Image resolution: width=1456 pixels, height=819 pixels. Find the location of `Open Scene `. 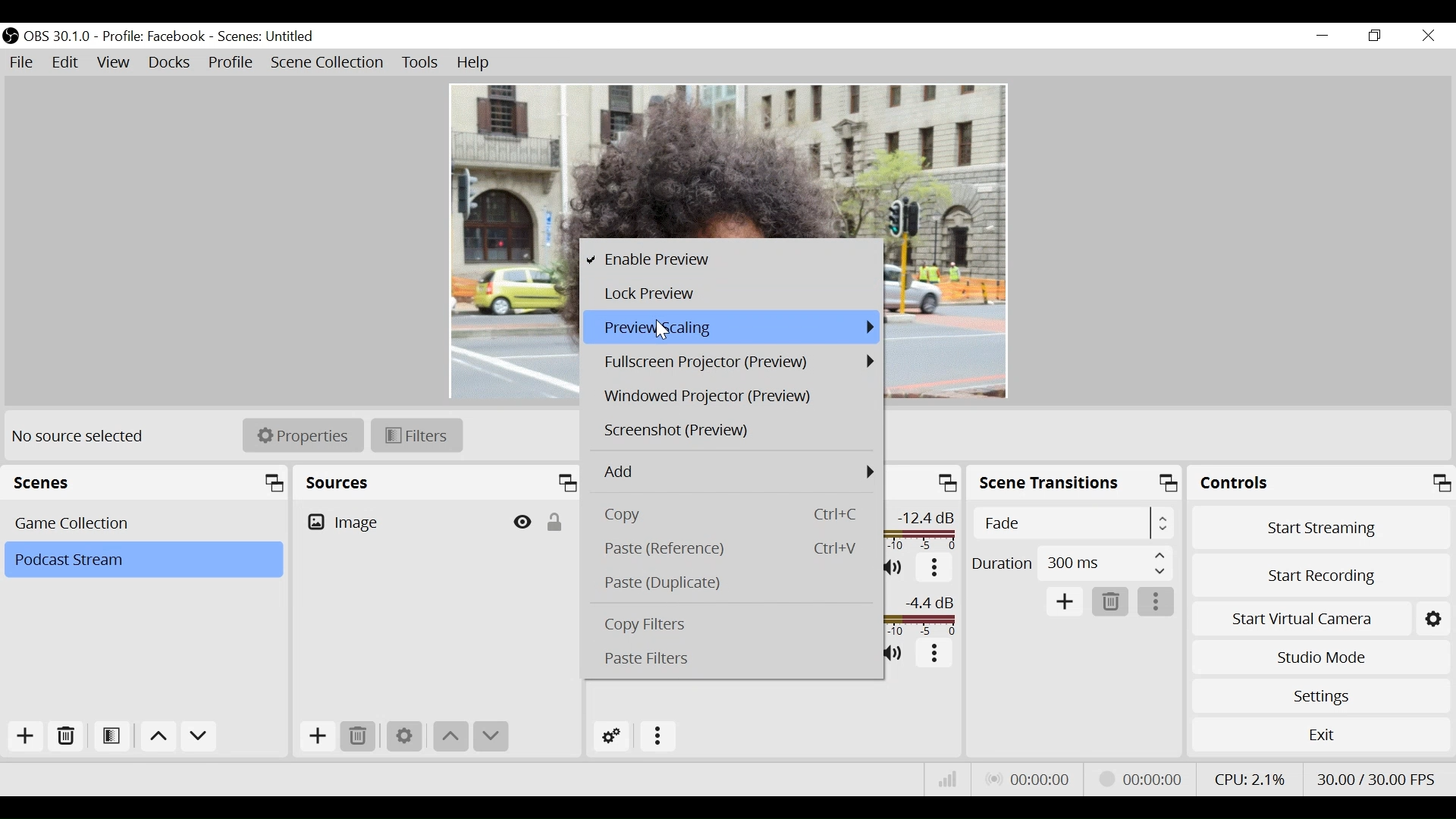

Open Scene  is located at coordinates (110, 737).